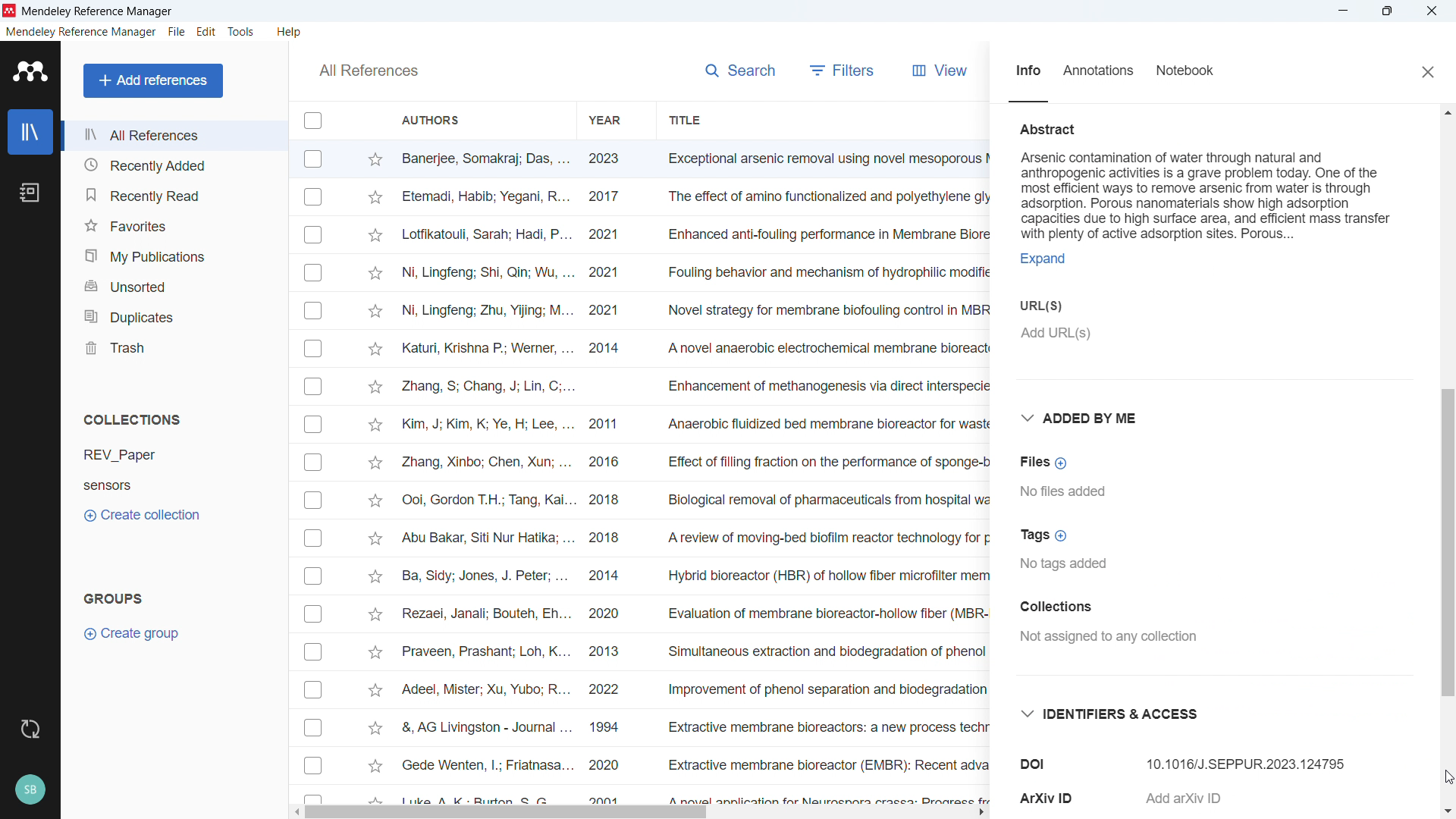 The width and height of the screenshot is (1456, 819). Describe the element at coordinates (1447, 111) in the screenshot. I see `Scroll up ` at that location.